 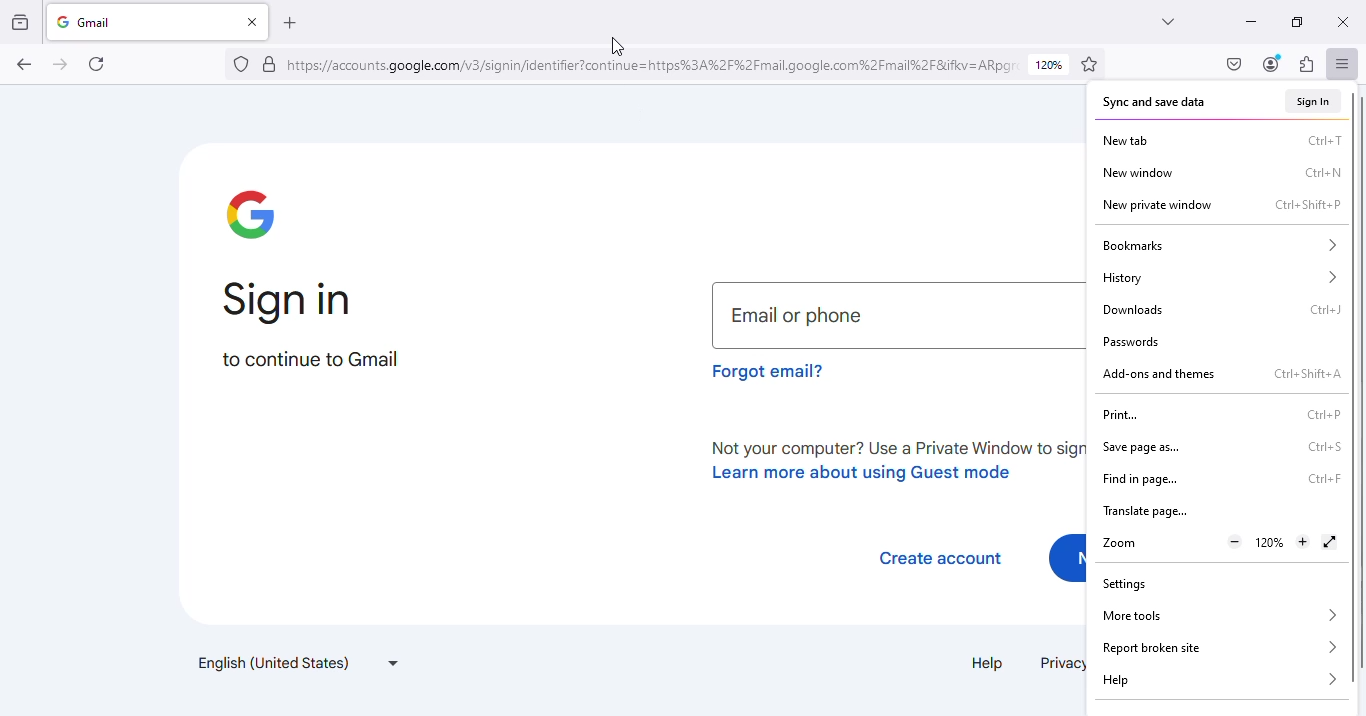 What do you see at coordinates (1131, 342) in the screenshot?
I see `passwords` at bounding box center [1131, 342].